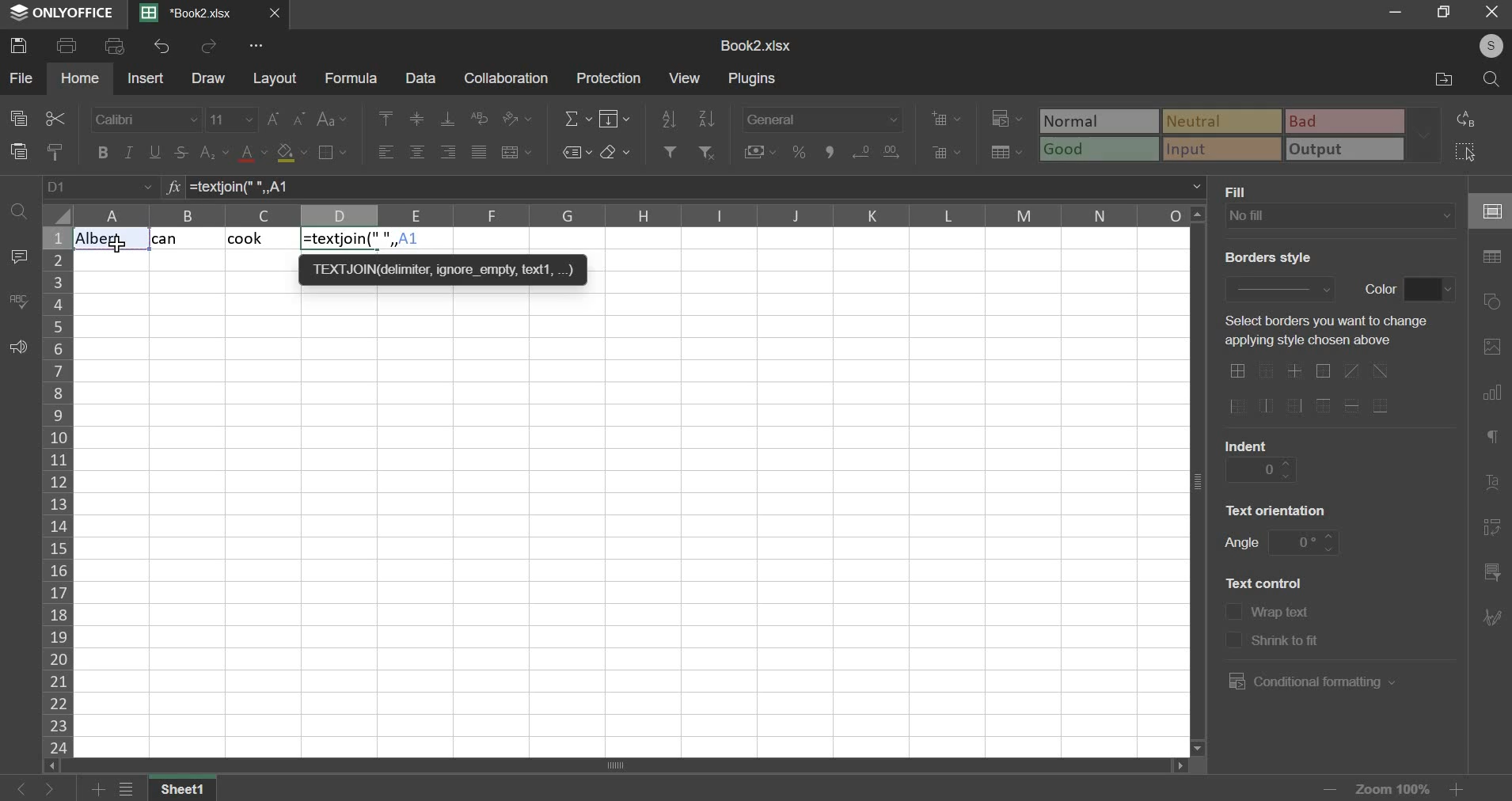 The height and width of the screenshot is (801, 1512). What do you see at coordinates (612, 78) in the screenshot?
I see `protection` at bounding box center [612, 78].